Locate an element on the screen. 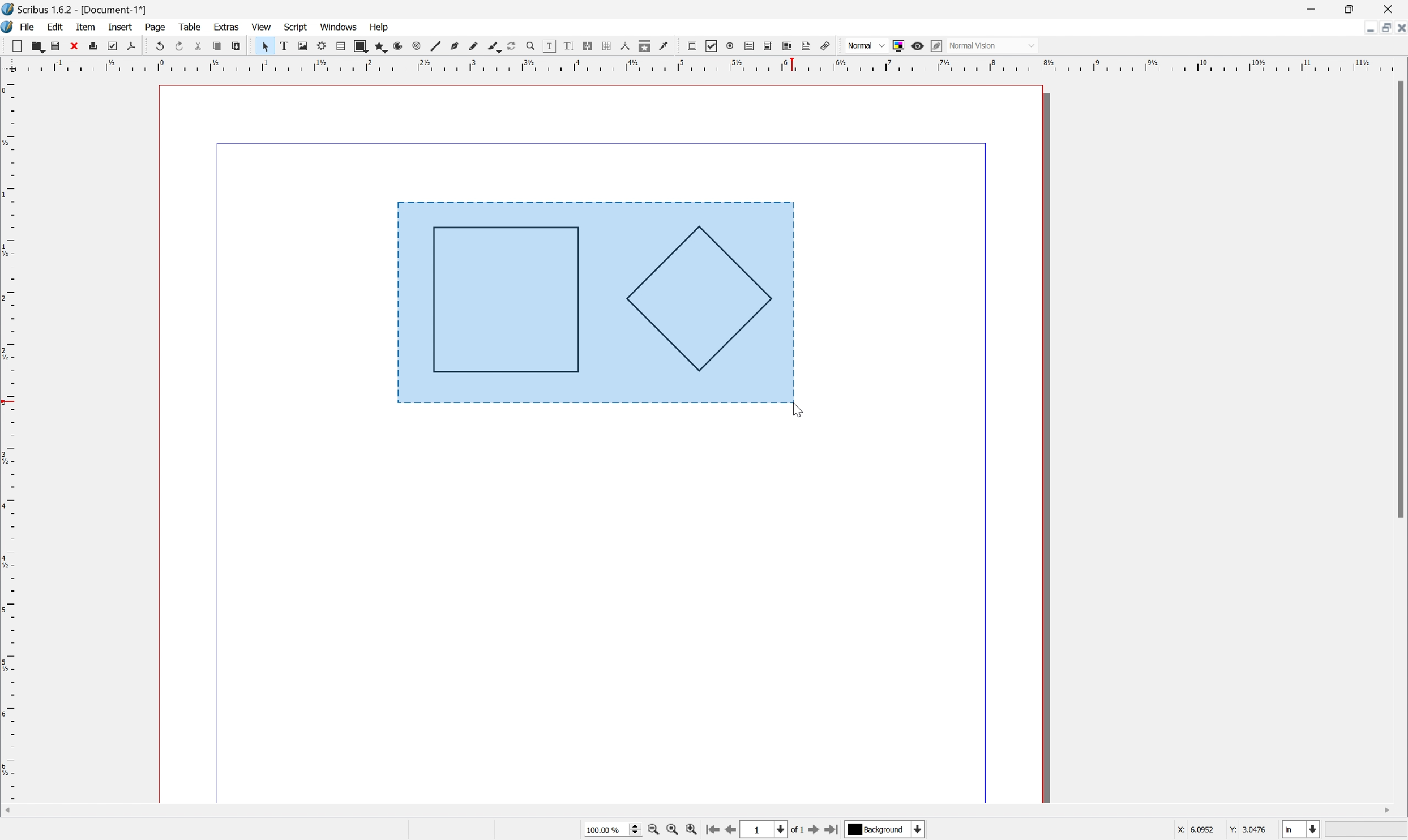 The width and height of the screenshot is (1408, 840). script is located at coordinates (296, 26).